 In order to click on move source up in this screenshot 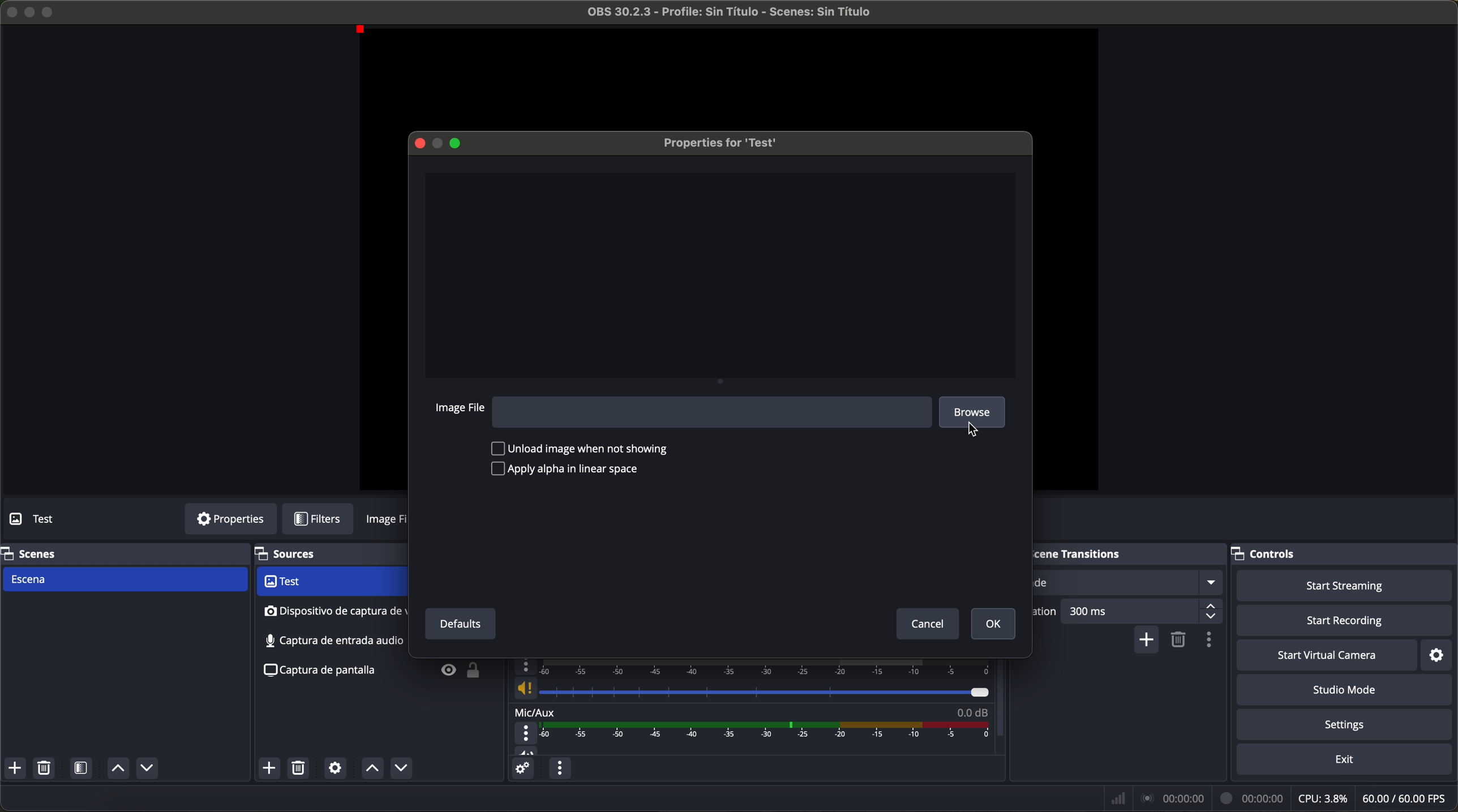, I will do `click(372, 768)`.